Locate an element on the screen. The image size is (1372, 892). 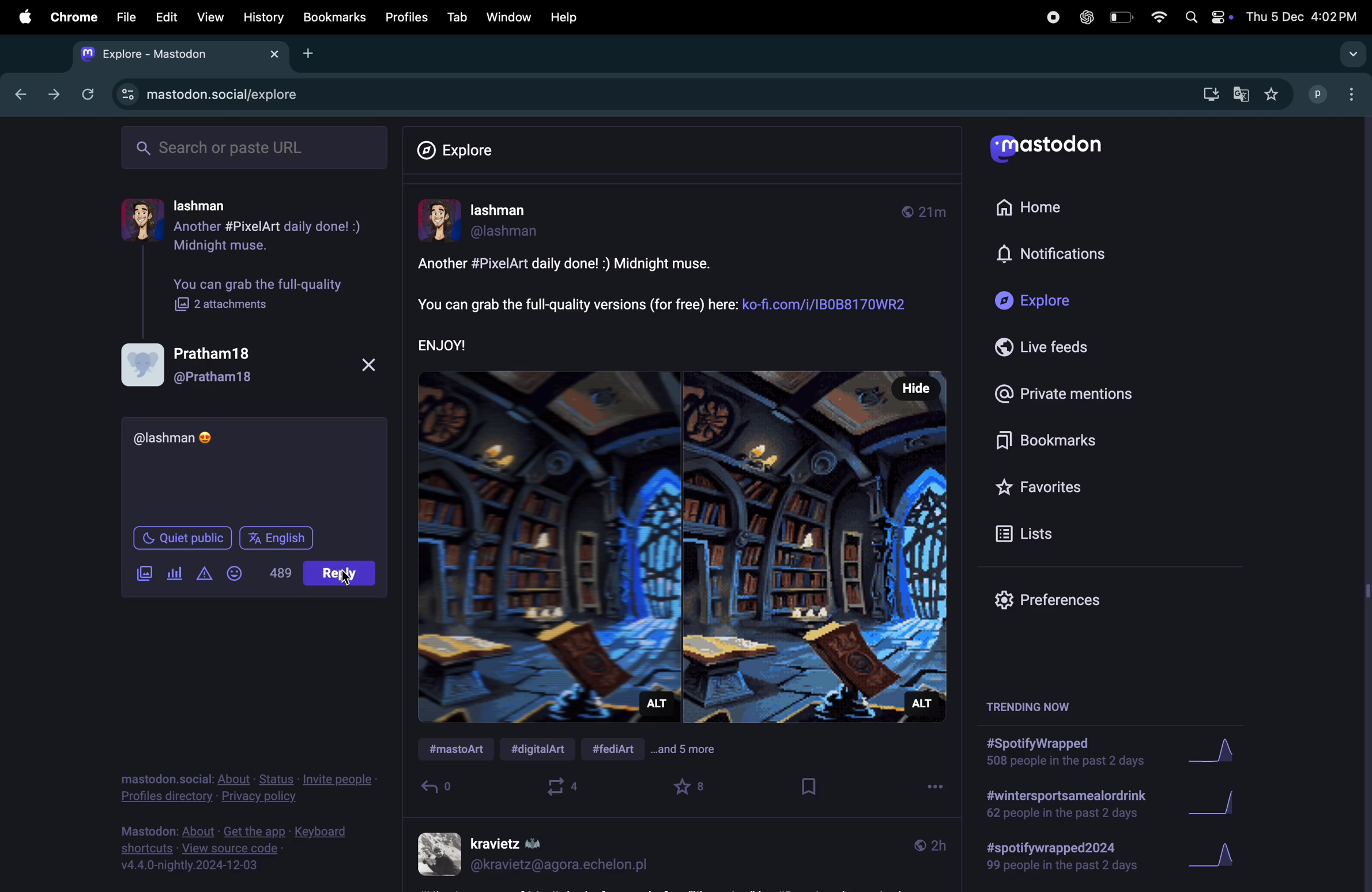
favourites is located at coordinates (1270, 94).